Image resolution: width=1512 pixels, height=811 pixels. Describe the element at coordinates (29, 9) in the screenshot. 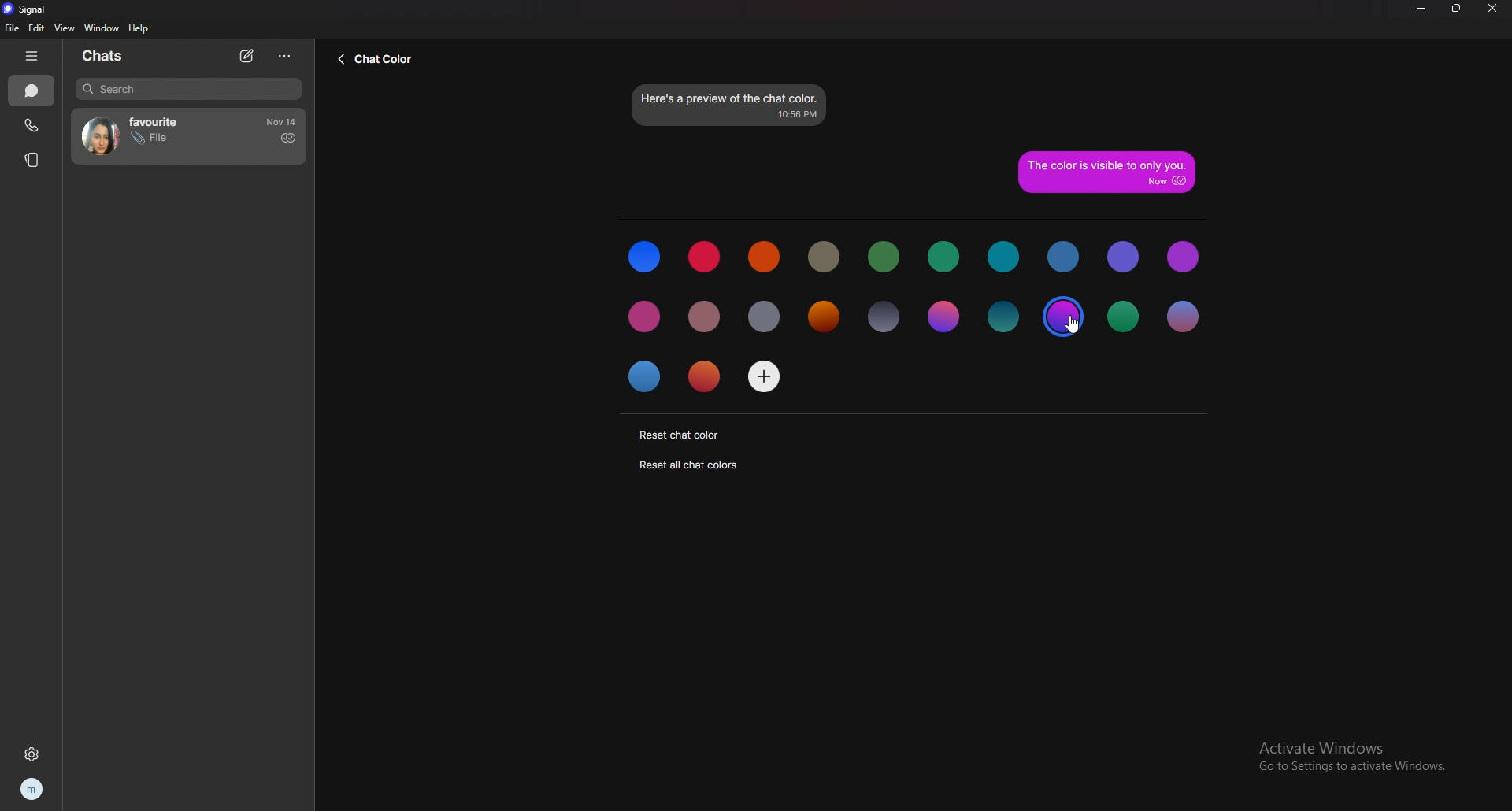

I see `signal` at that location.